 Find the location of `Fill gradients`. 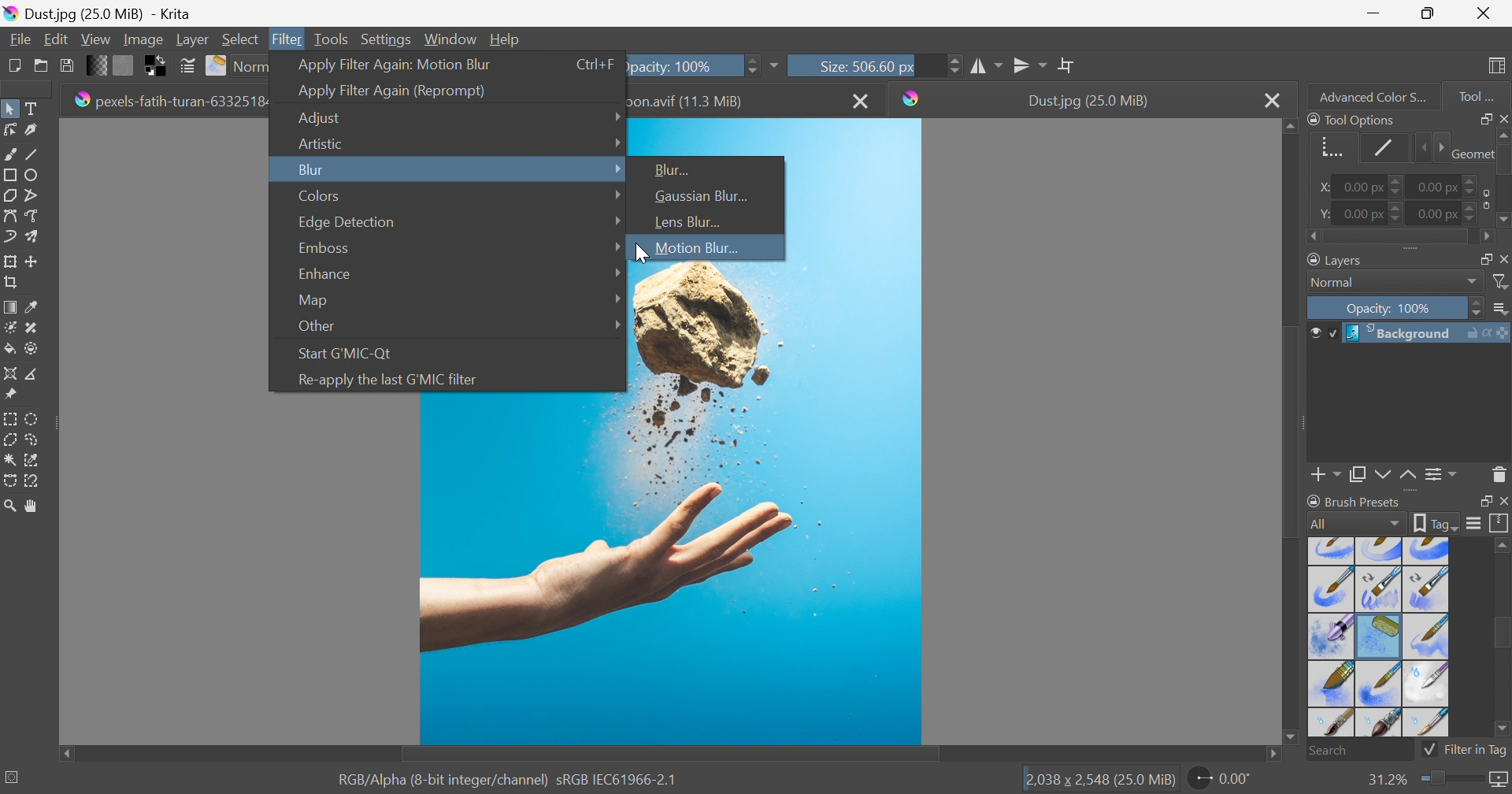

Fill gradients is located at coordinates (98, 64).